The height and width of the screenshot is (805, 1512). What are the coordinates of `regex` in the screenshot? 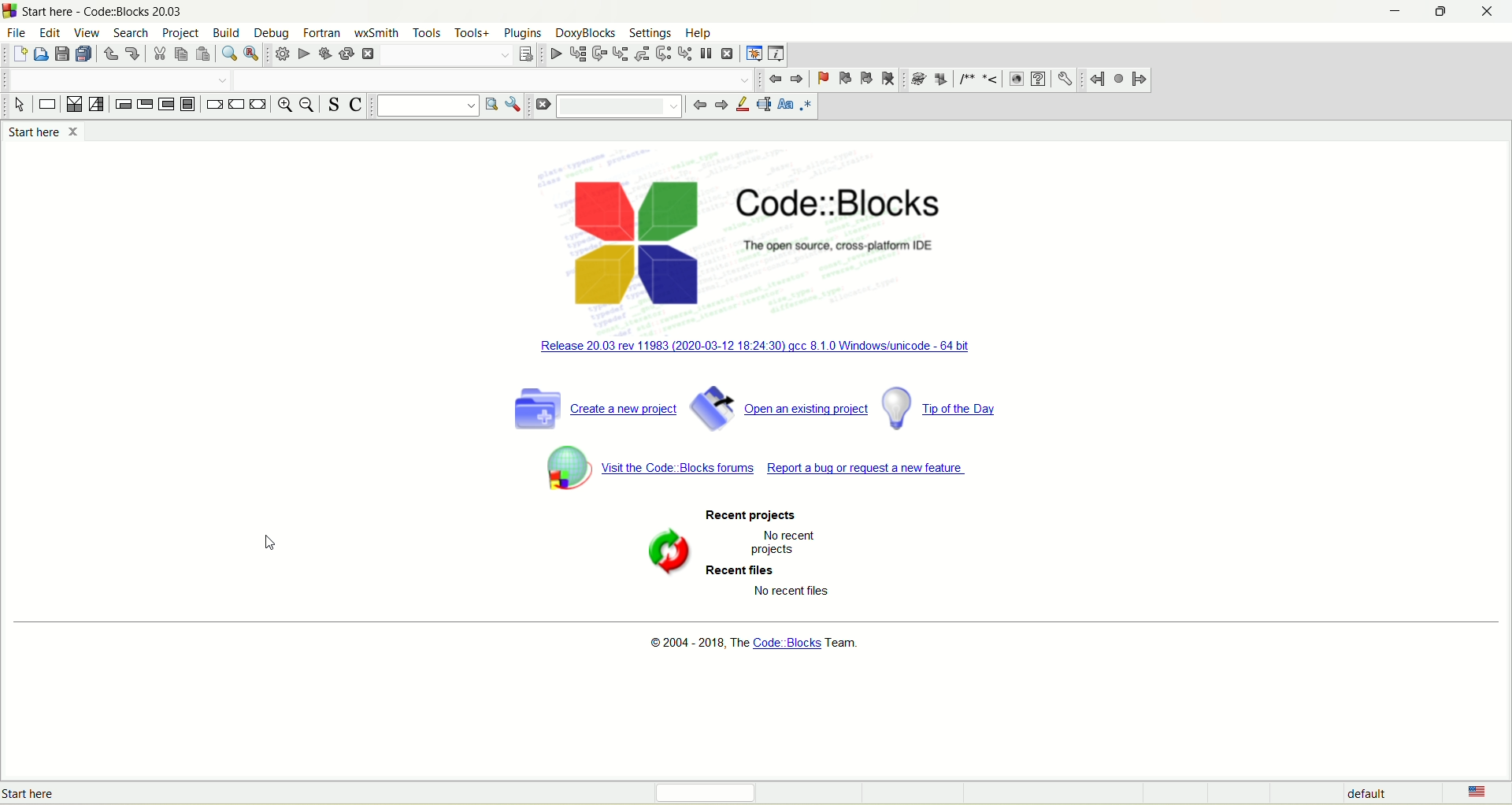 It's located at (806, 107).